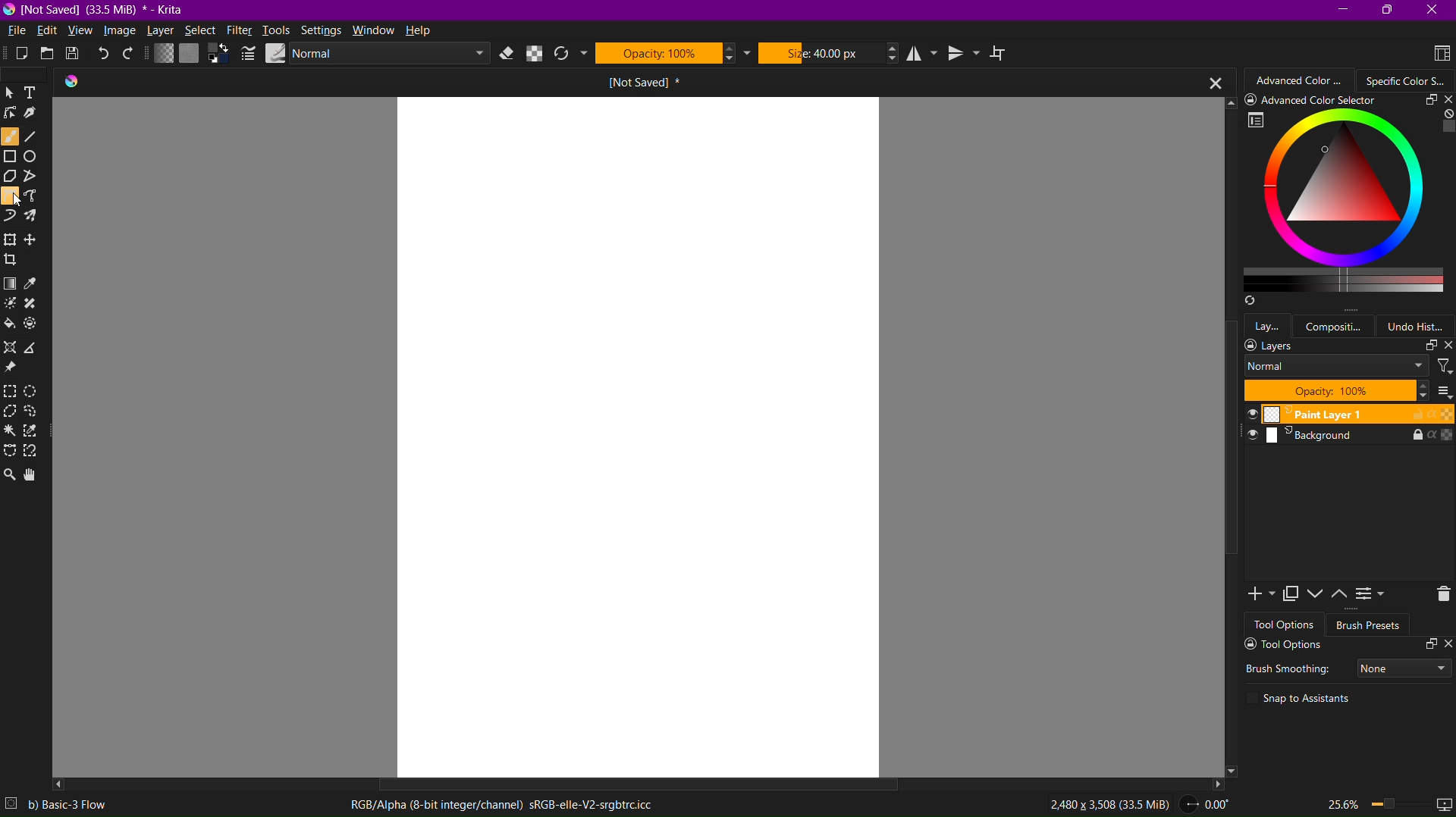  Describe the element at coordinates (36, 138) in the screenshot. I see `Line Tool` at that location.